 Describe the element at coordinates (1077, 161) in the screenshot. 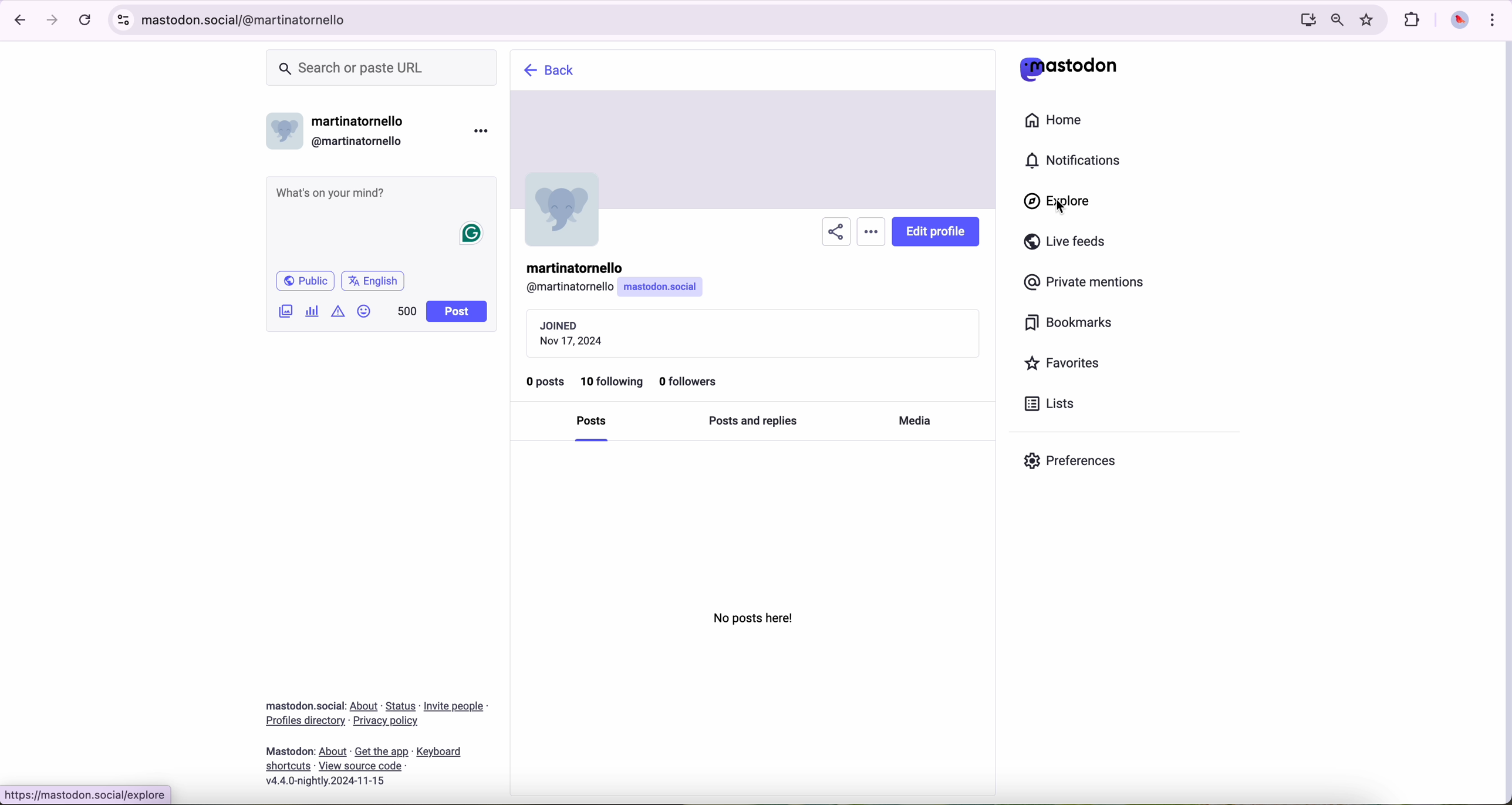

I see `notifications` at that location.